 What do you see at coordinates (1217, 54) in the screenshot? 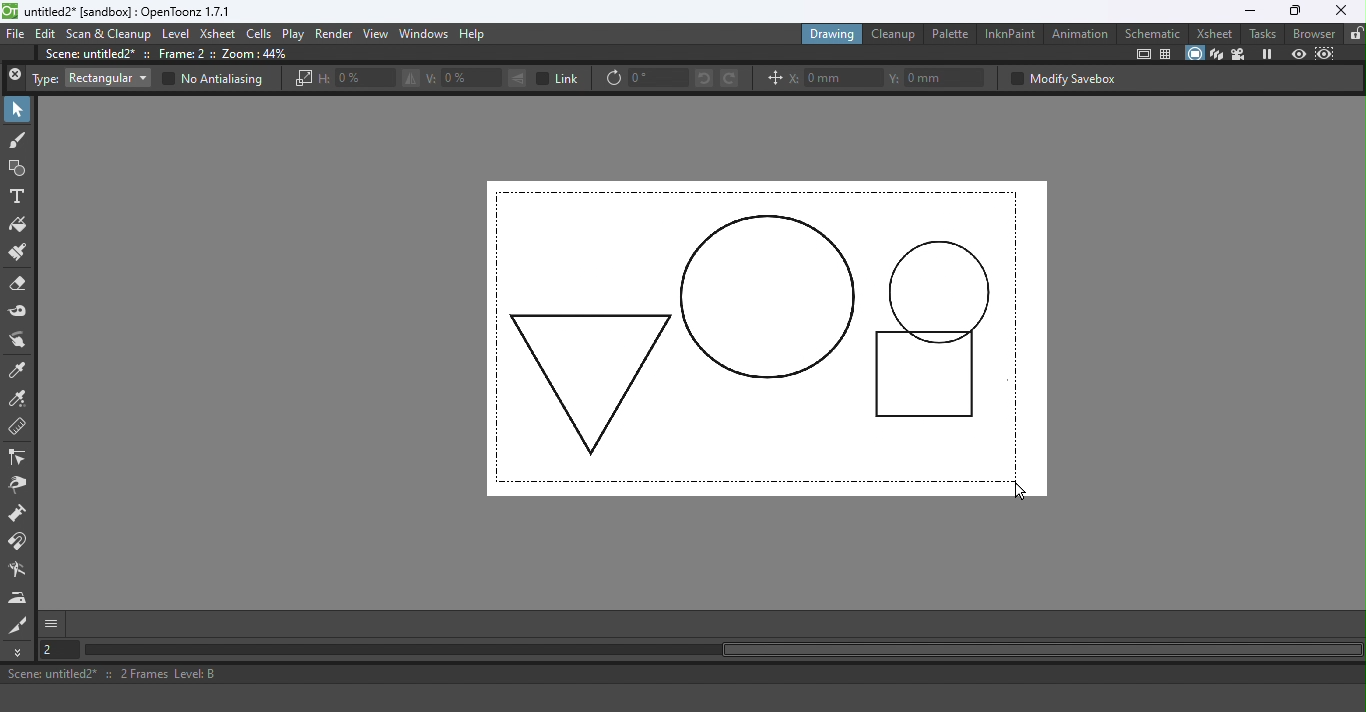
I see `3D view` at bounding box center [1217, 54].